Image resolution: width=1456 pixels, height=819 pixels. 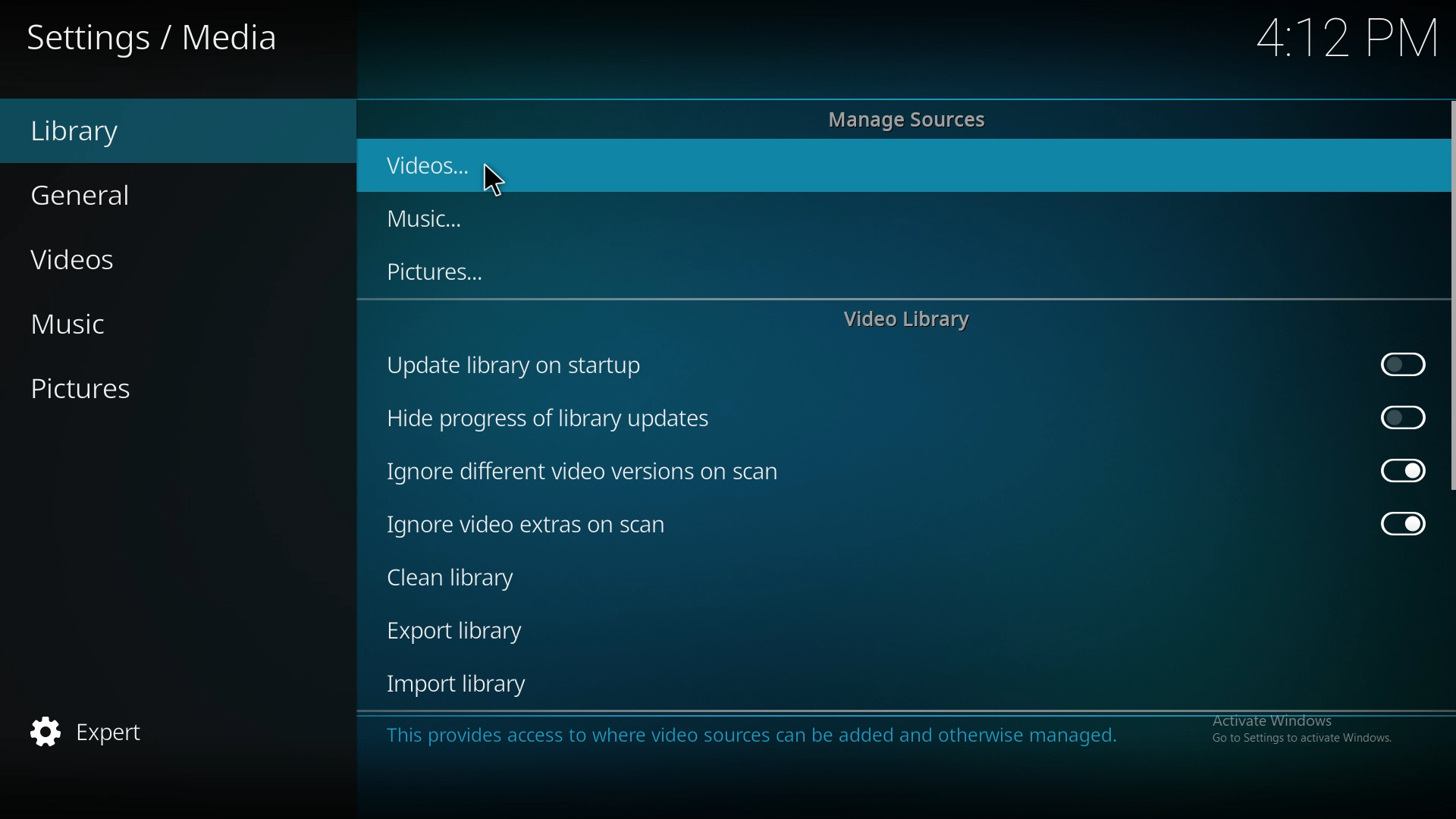 I want to click on info, so click(x=753, y=737).